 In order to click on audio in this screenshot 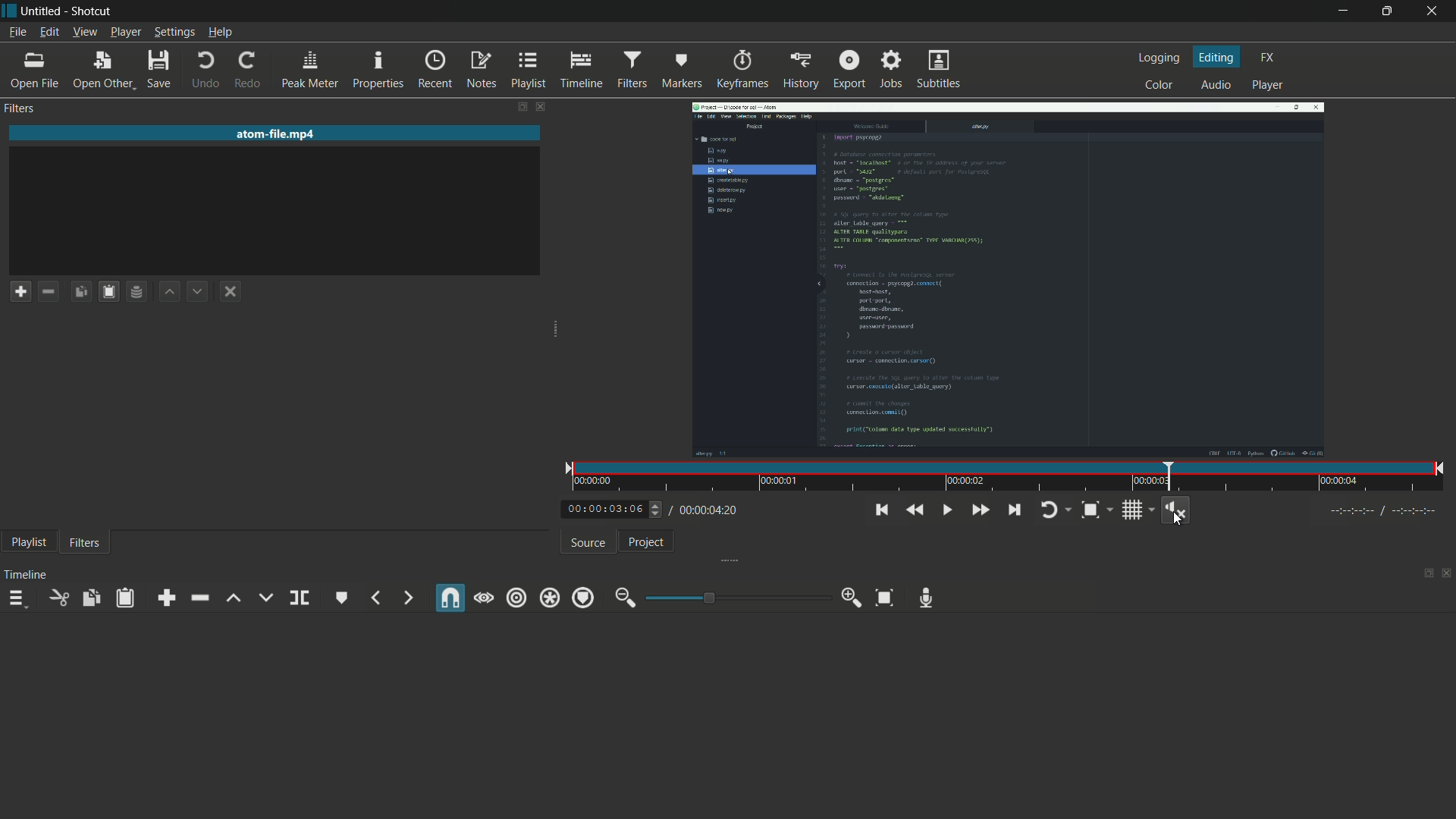, I will do `click(1213, 84)`.